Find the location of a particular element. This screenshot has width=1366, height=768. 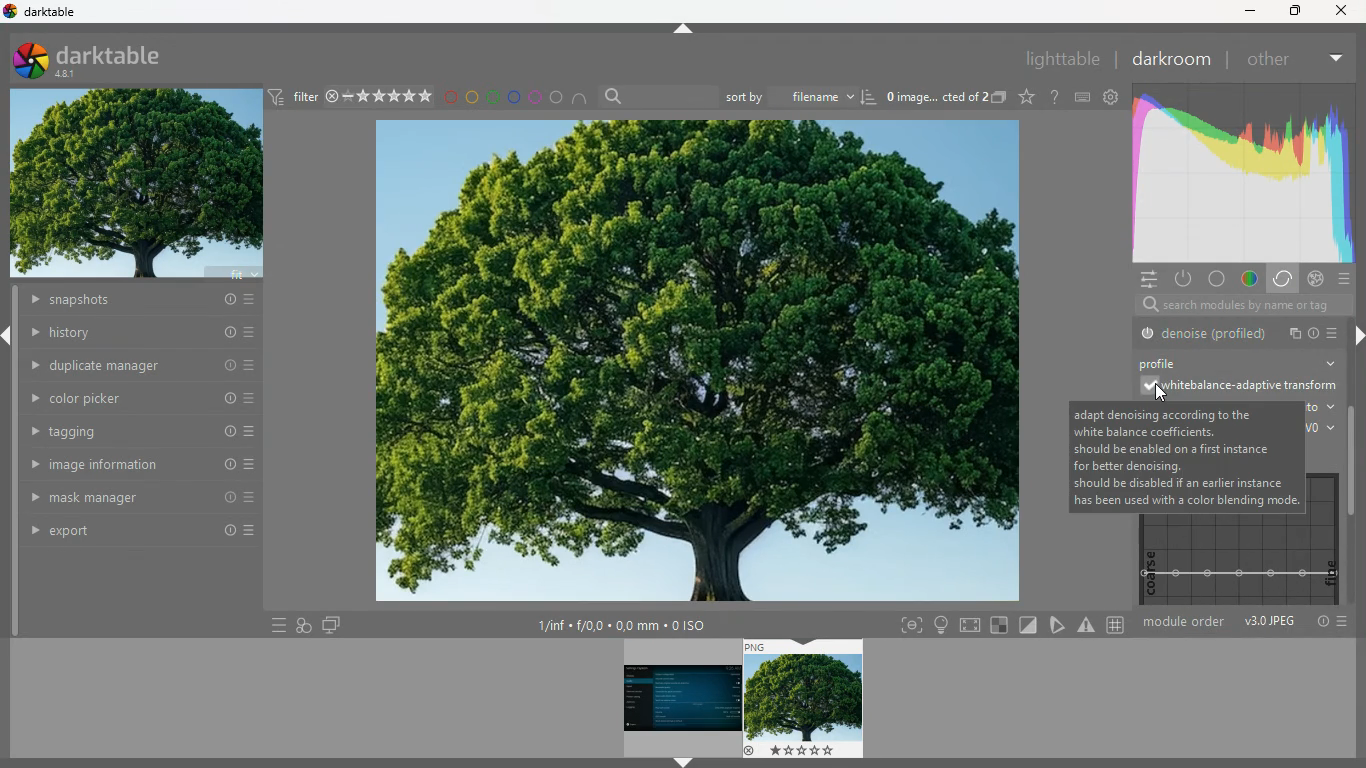

more is located at coordinates (1338, 55).